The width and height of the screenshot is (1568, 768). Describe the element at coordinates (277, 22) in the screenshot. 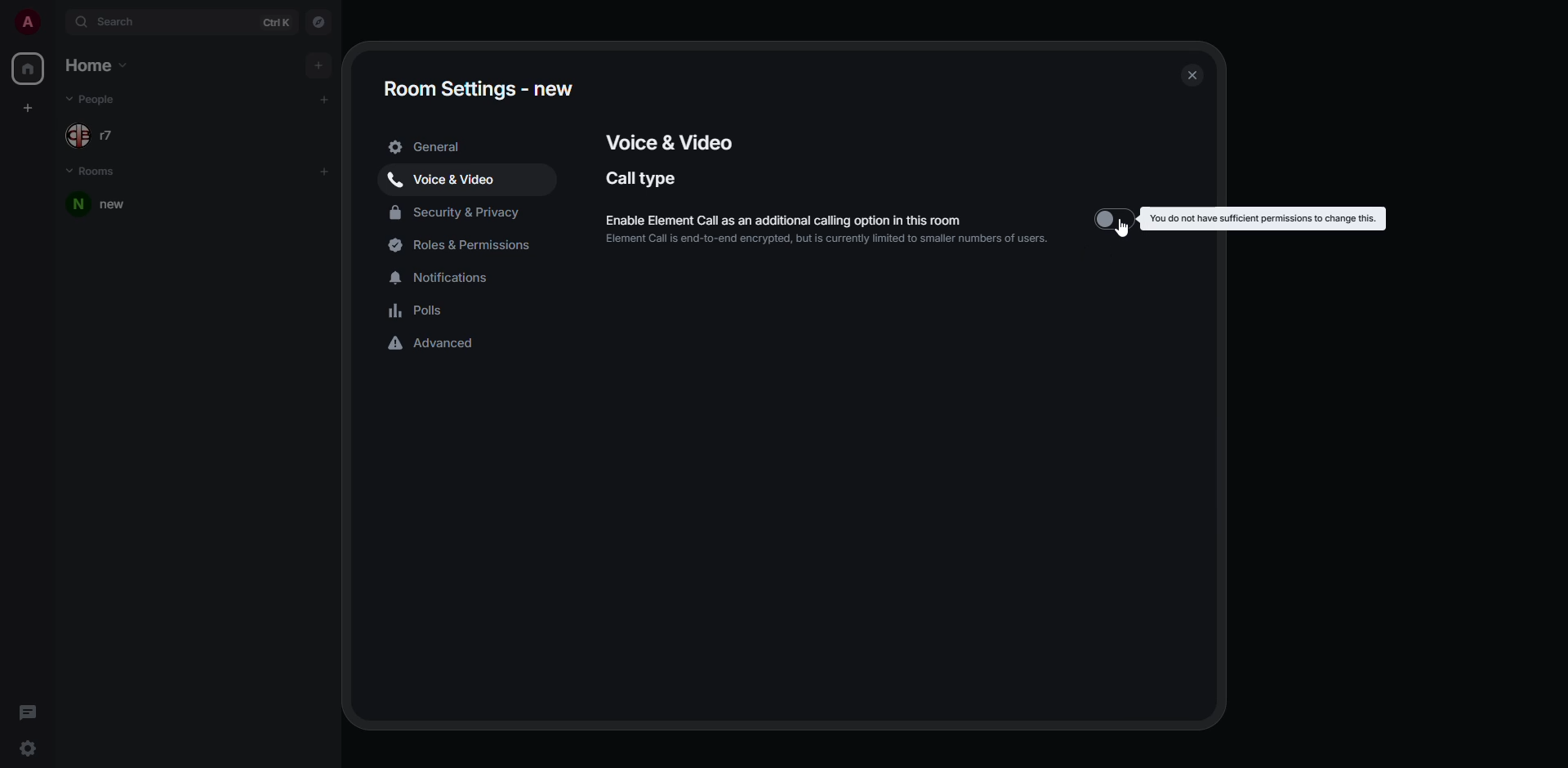

I see `ctrl K` at that location.